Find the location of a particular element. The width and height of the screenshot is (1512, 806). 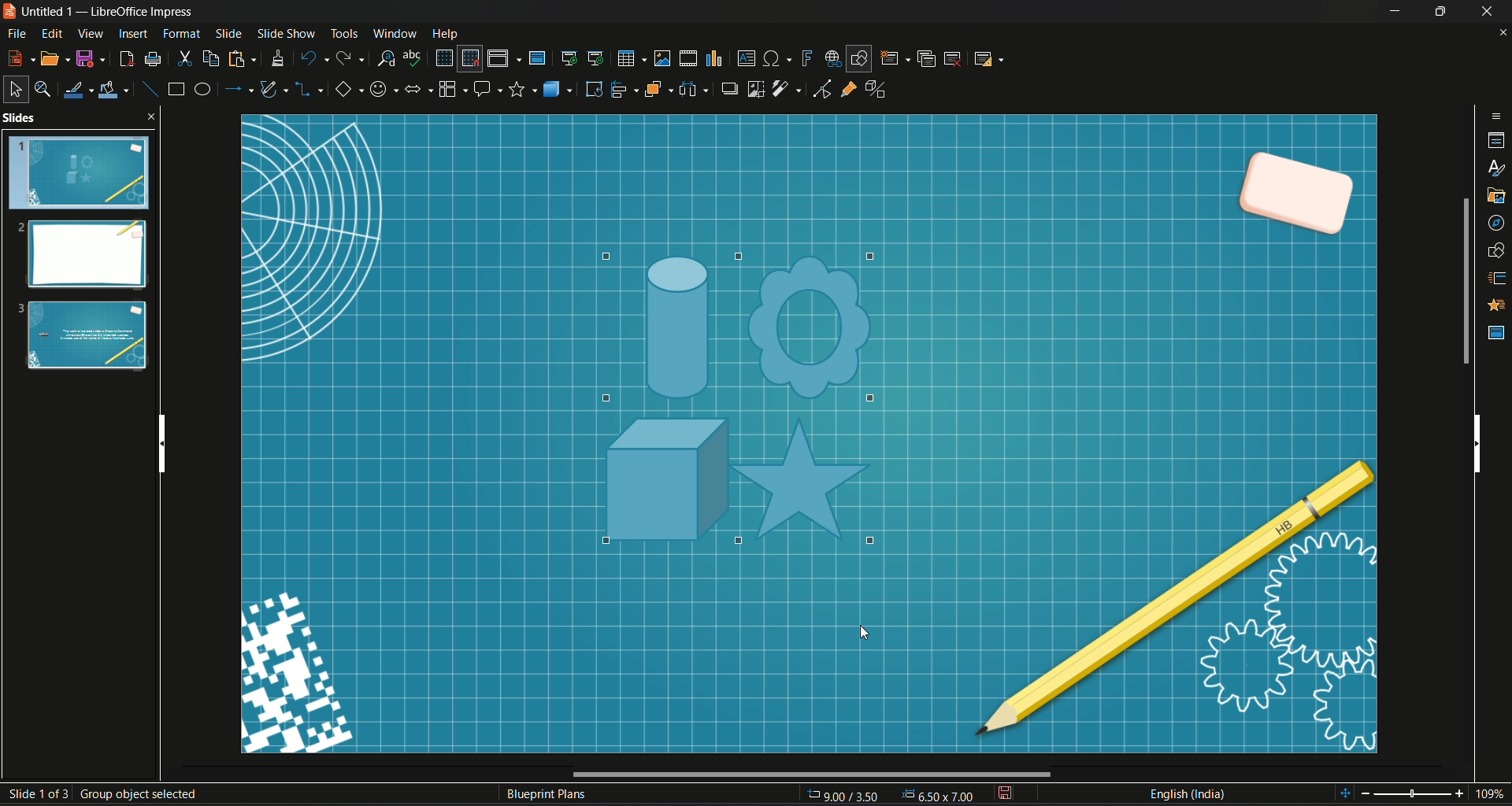

save is located at coordinates (1004, 794).